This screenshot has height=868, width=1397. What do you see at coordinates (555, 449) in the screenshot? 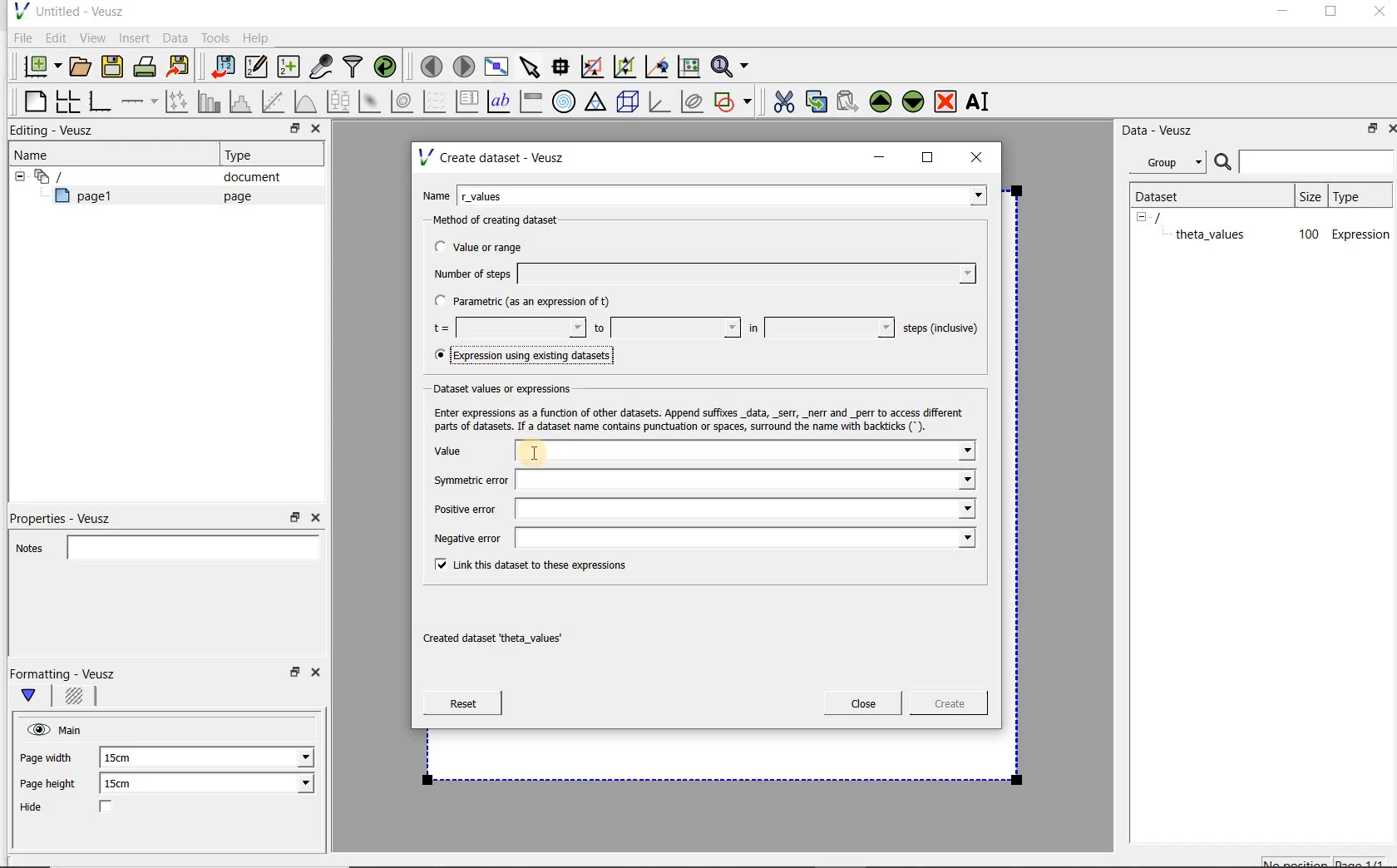
I see `Cursor` at bounding box center [555, 449].